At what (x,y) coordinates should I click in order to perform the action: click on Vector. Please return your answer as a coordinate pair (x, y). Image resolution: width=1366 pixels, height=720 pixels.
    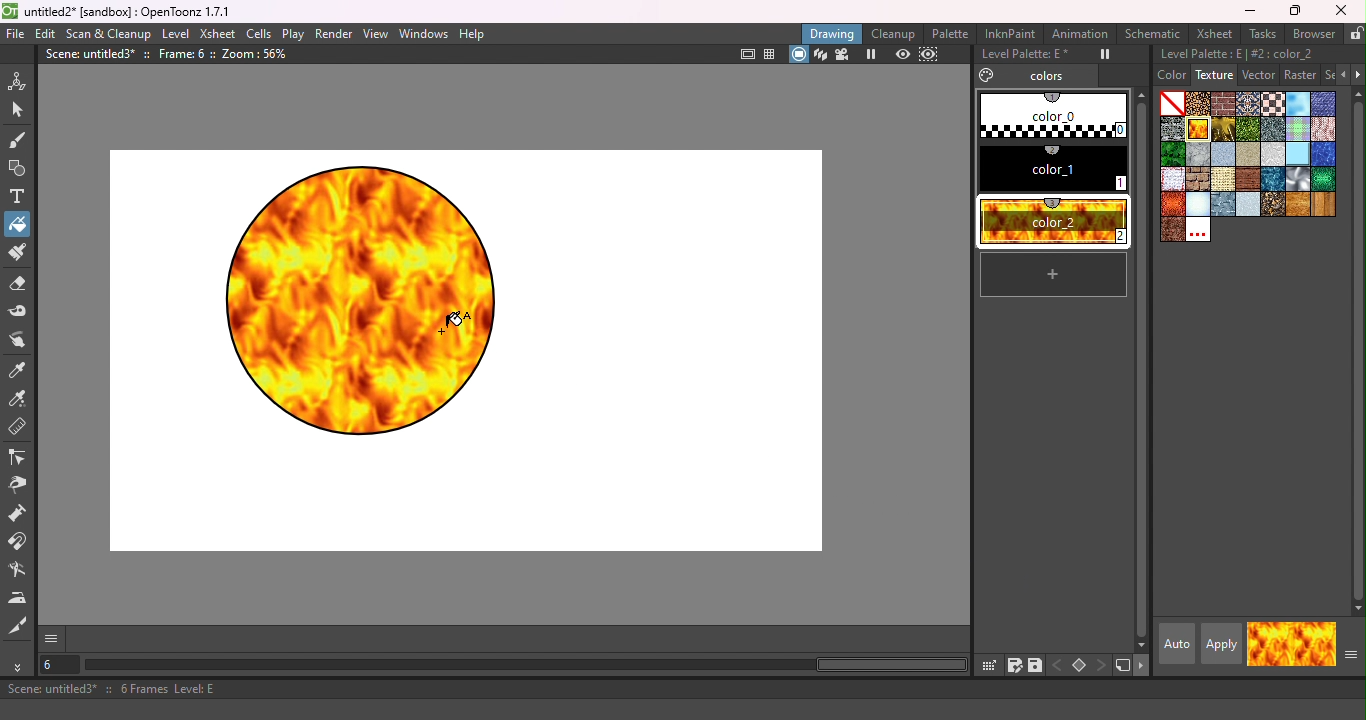
    Looking at the image, I should click on (1259, 75).